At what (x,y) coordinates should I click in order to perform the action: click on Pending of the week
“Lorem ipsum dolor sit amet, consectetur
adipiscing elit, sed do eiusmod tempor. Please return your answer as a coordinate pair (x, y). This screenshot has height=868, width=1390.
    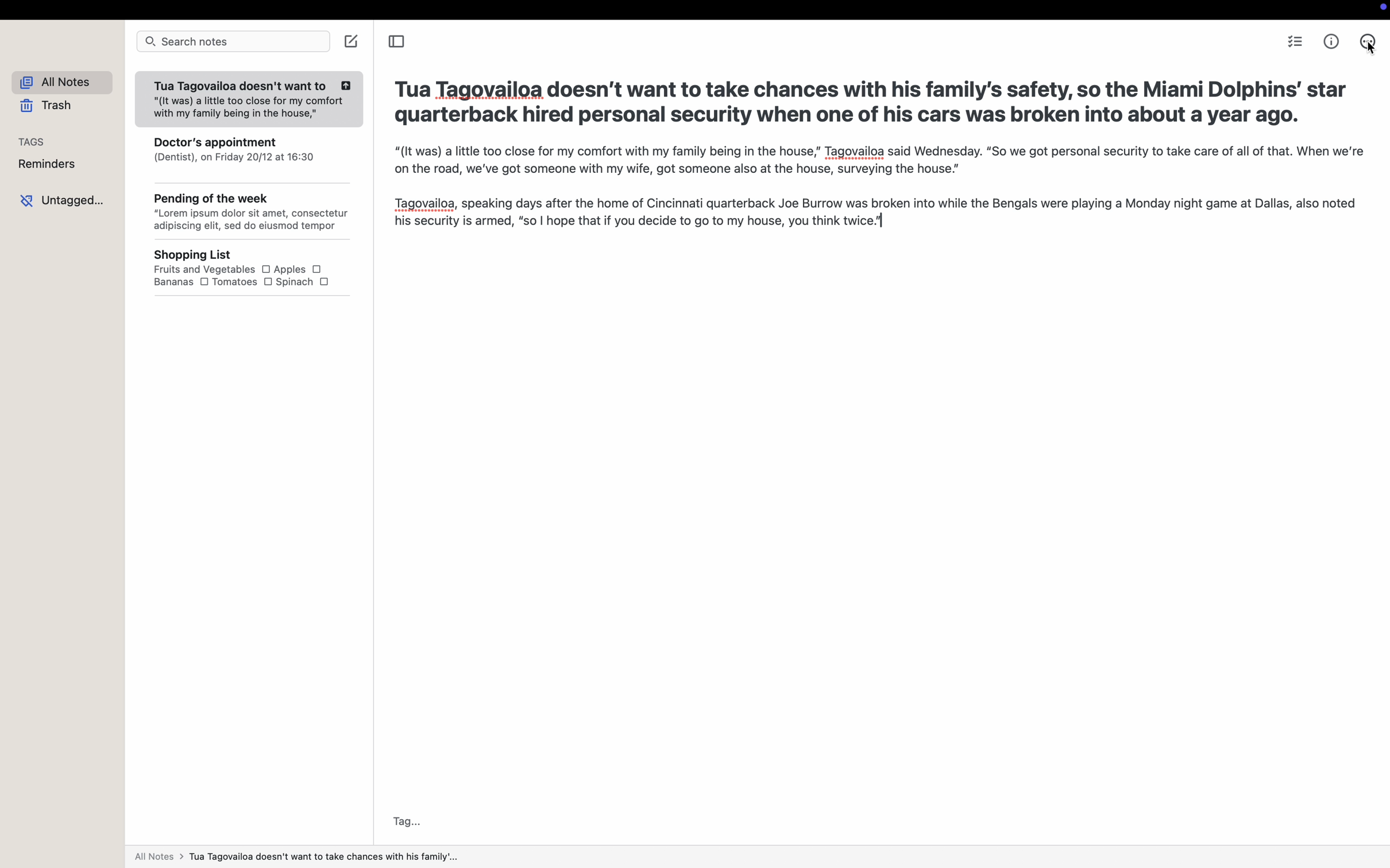
    Looking at the image, I should click on (247, 206).